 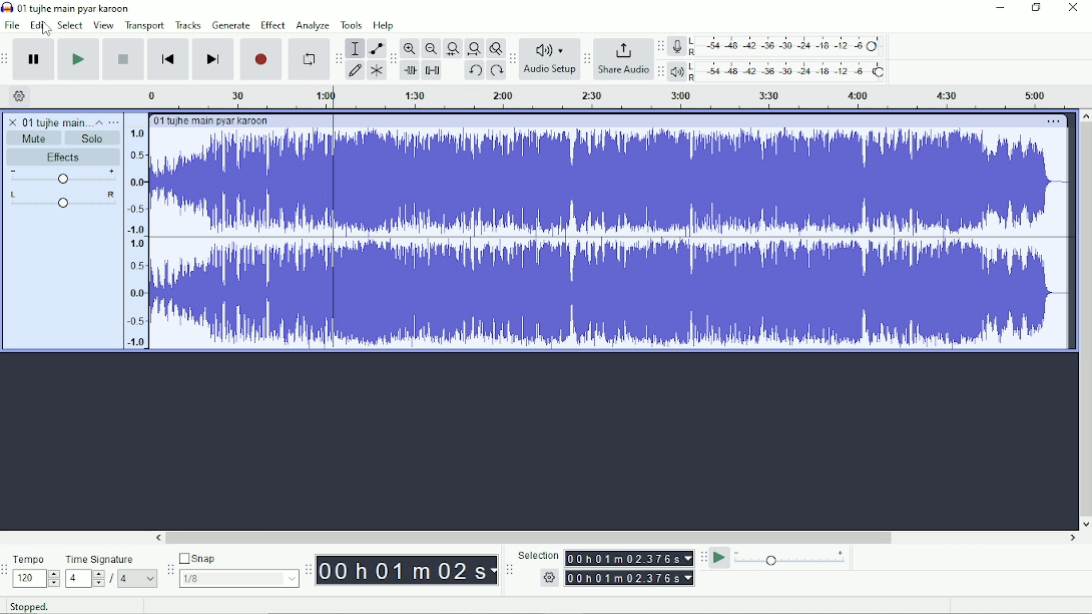 What do you see at coordinates (355, 48) in the screenshot?
I see `Selection tool` at bounding box center [355, 48].